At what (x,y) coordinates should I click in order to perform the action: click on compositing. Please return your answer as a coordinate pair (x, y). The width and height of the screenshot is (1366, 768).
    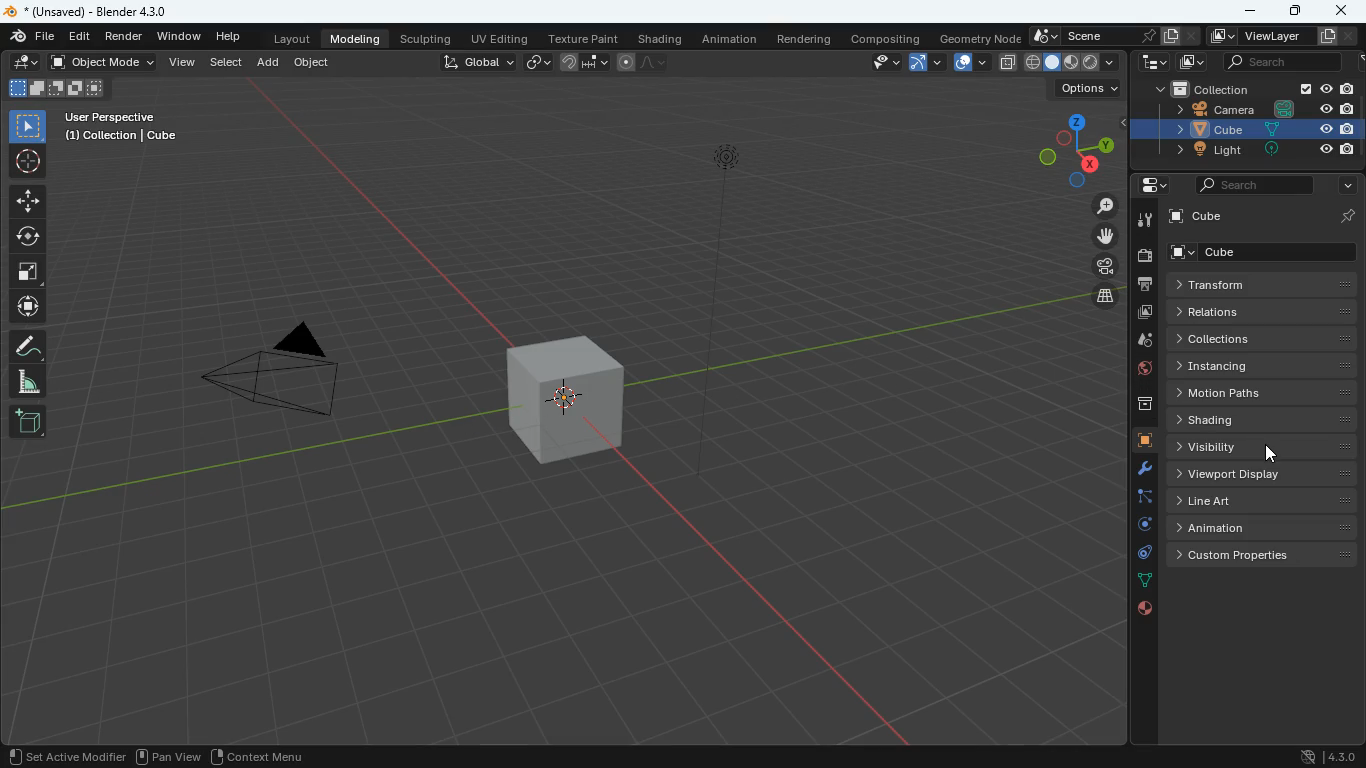
    Looking at the image, I should click on (884, 38).